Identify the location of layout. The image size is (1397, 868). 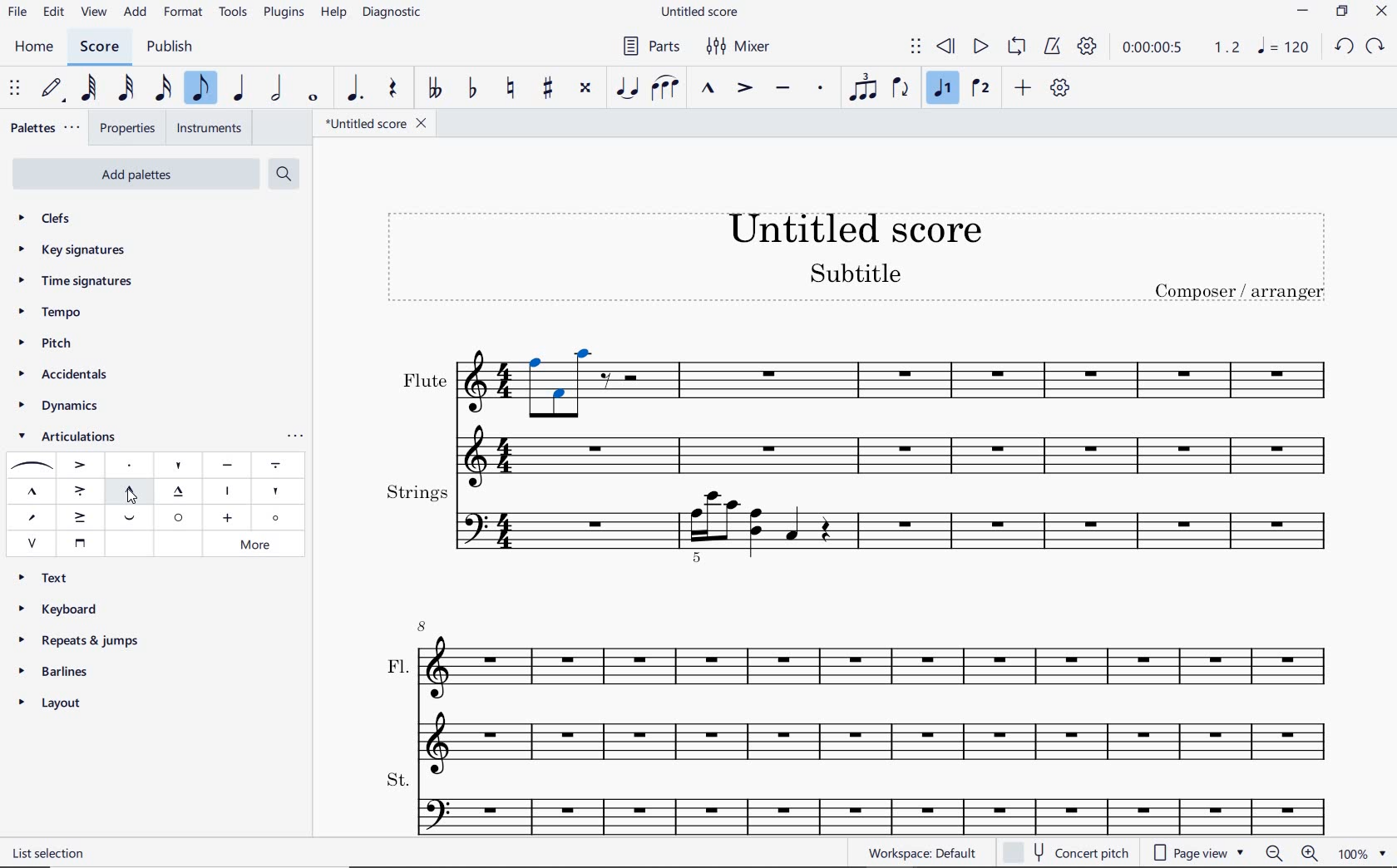
(52, 706).